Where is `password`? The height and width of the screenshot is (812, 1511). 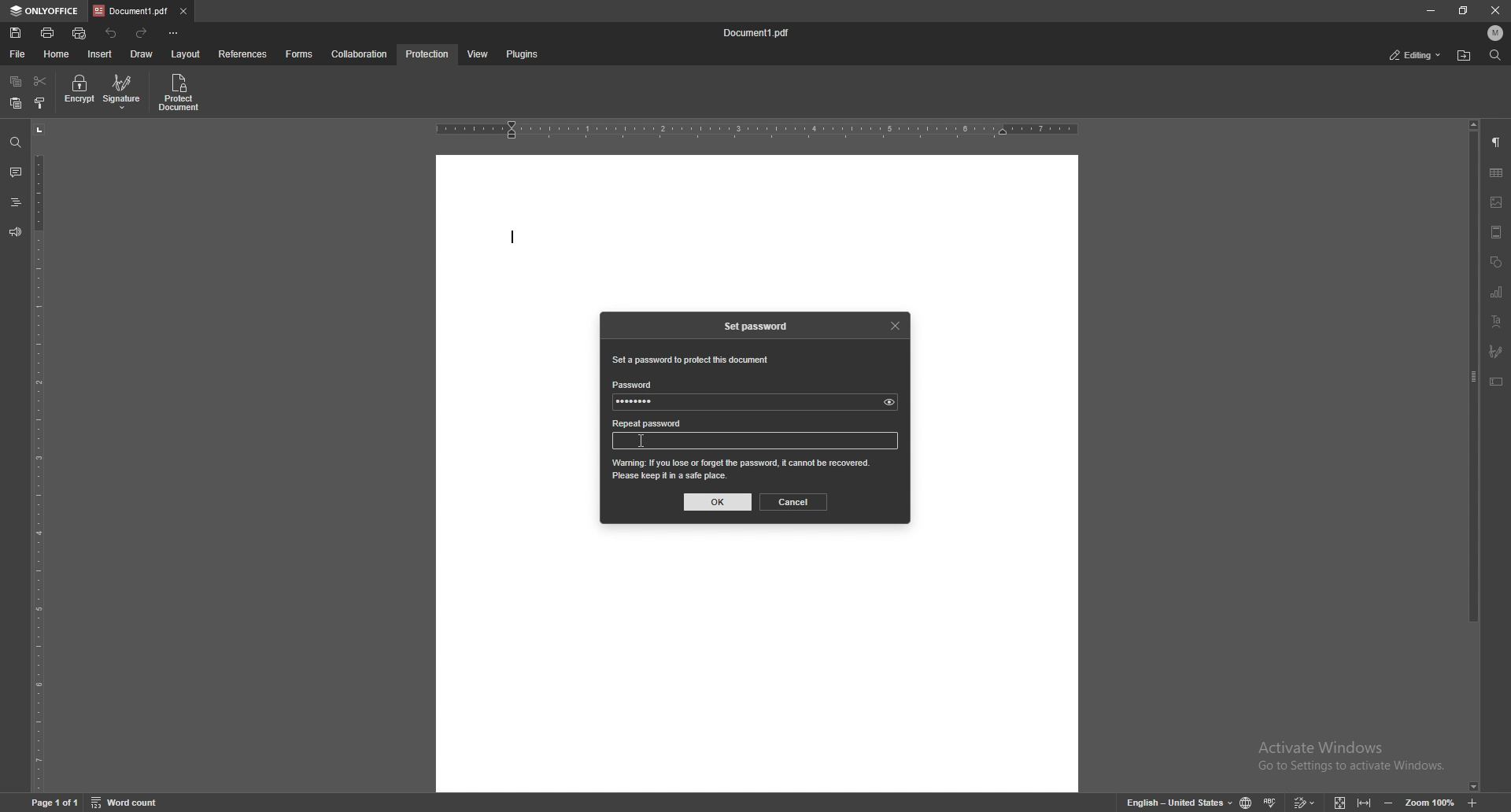
password is located at coordinates (634, 383).